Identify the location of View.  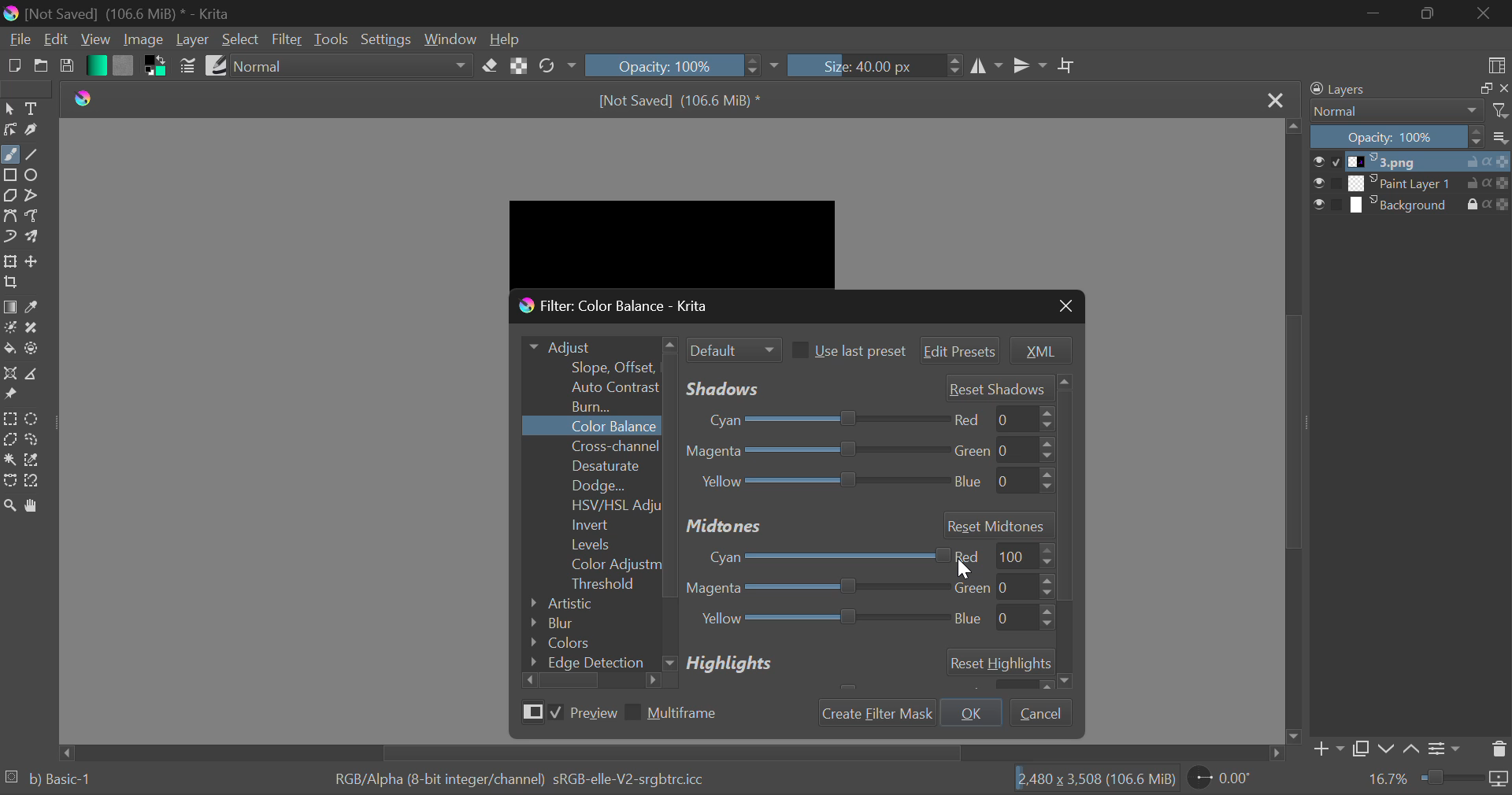
(95, 41).